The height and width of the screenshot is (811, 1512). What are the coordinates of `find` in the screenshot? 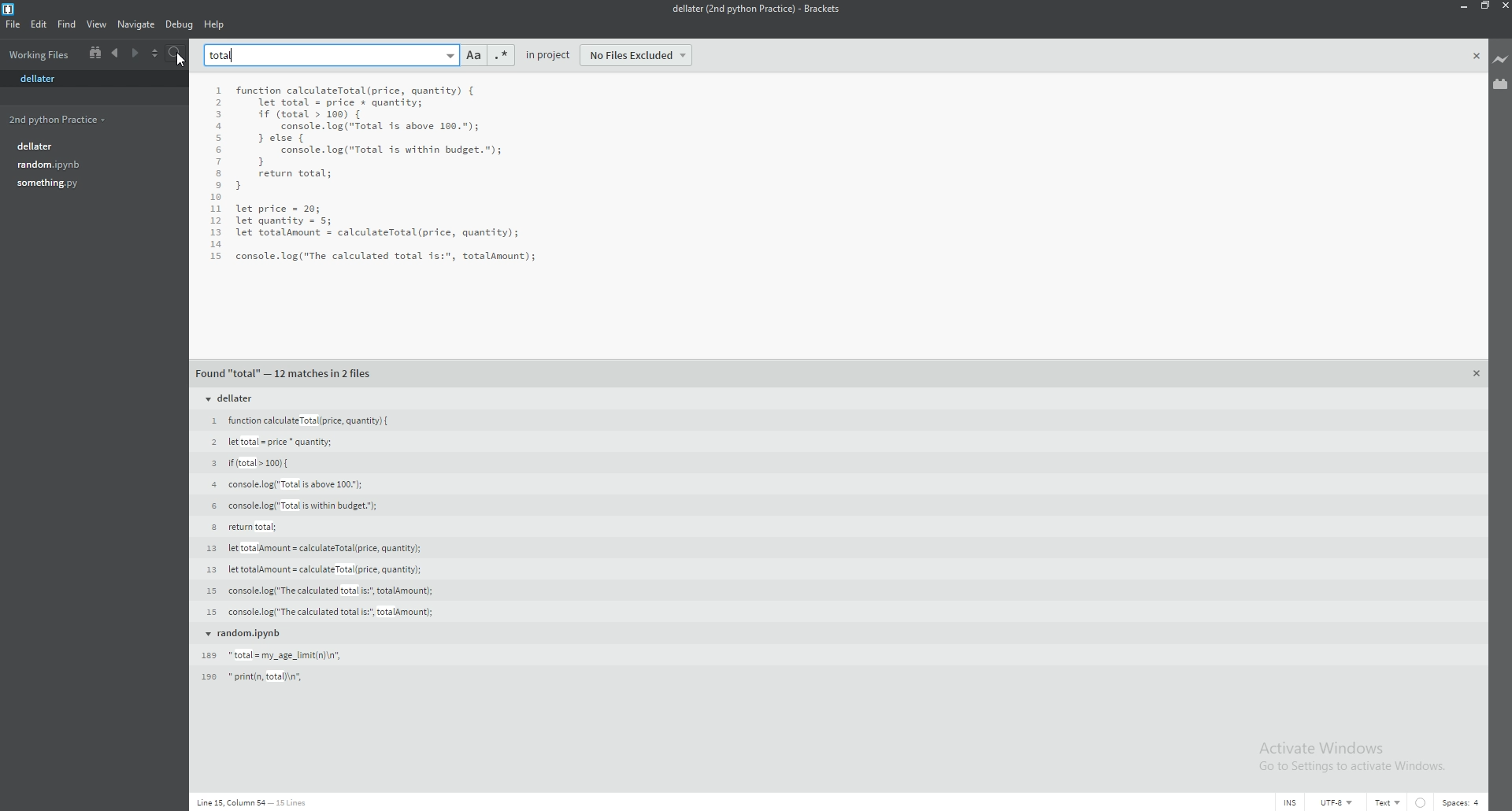 It's located at (65, 24).